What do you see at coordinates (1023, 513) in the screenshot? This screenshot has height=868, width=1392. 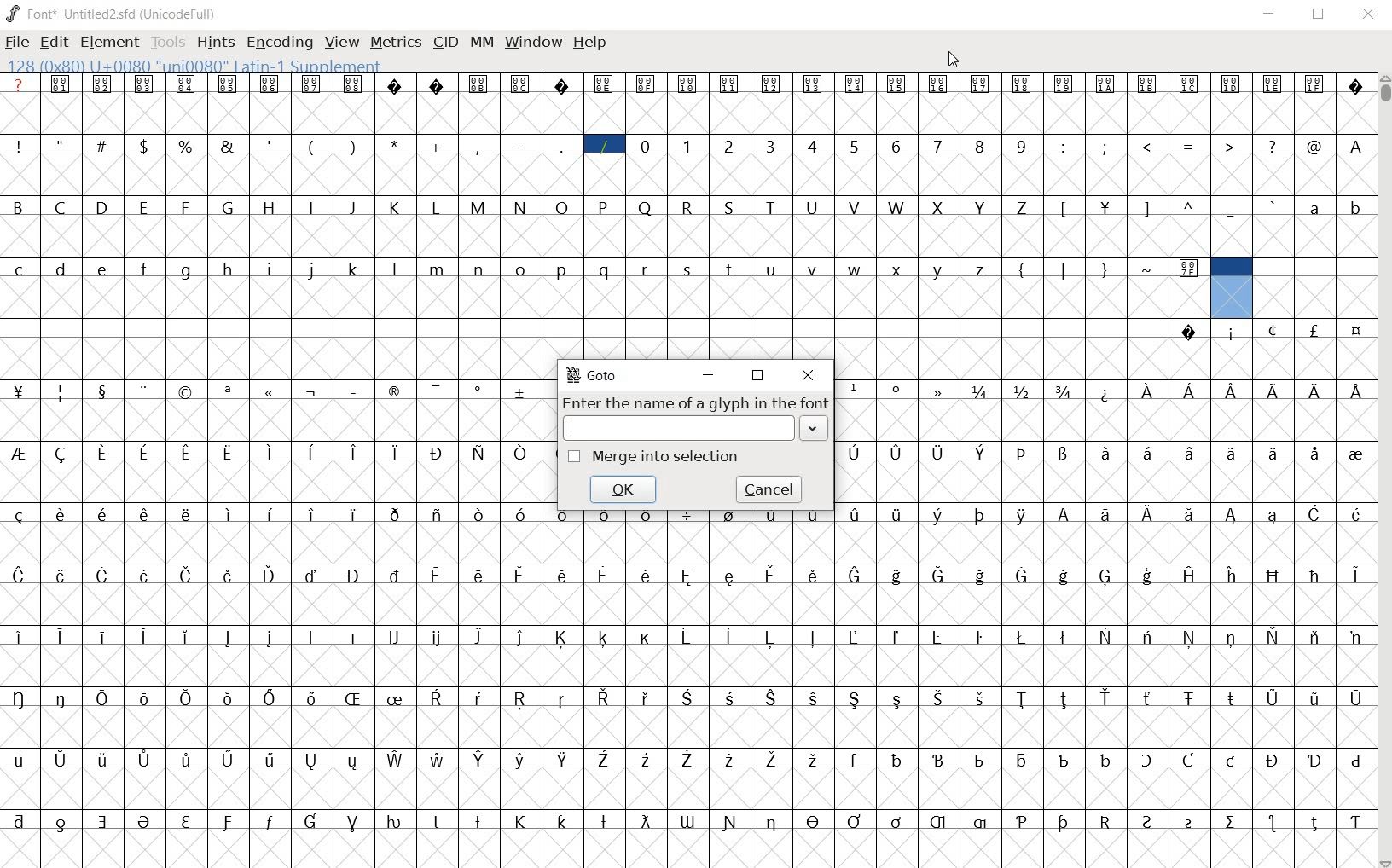 I see `Symbol` at bounding box center [1023, 513].